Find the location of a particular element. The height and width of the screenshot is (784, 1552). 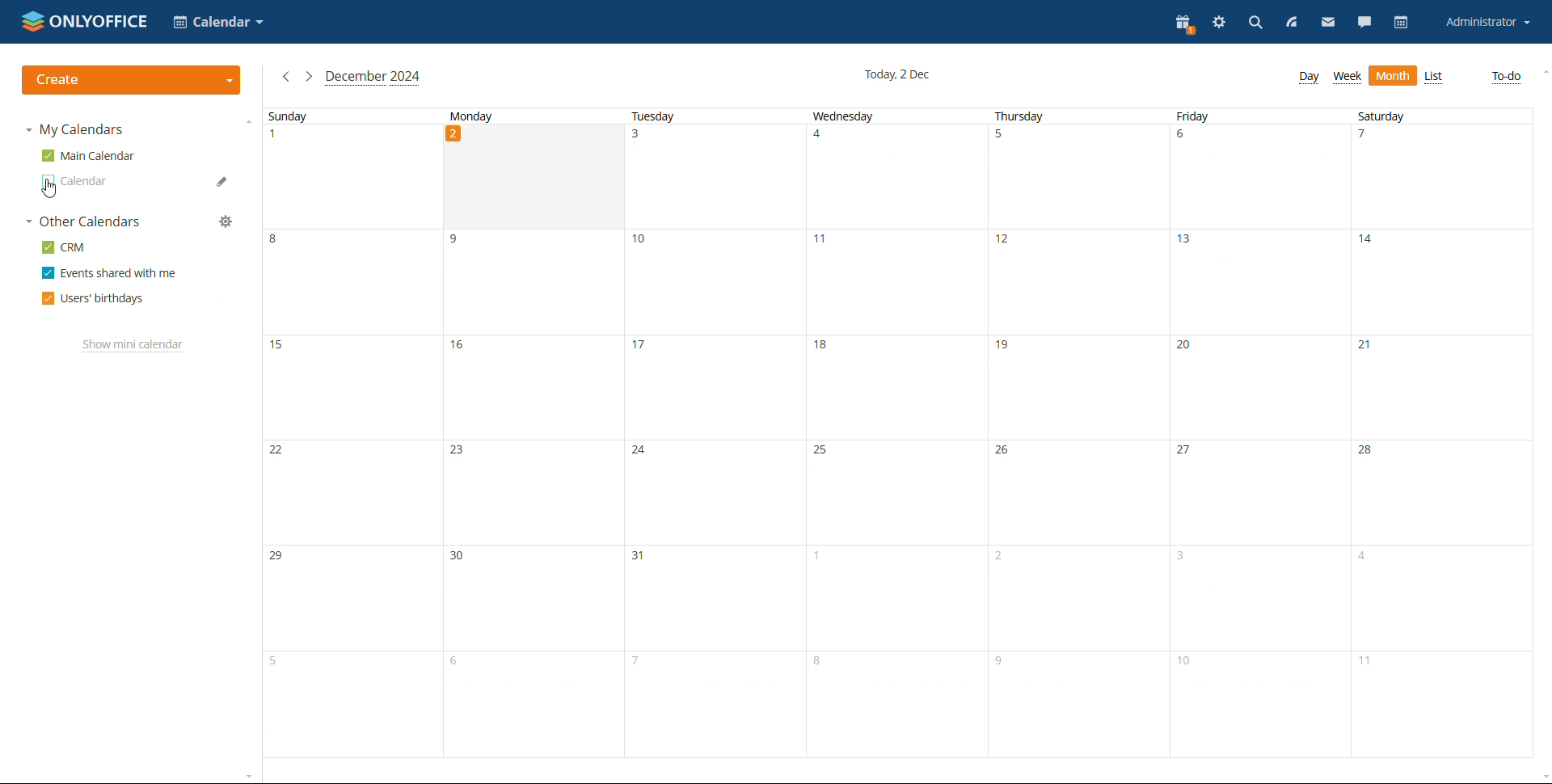

dat view is located at coordinates (1309, 78).